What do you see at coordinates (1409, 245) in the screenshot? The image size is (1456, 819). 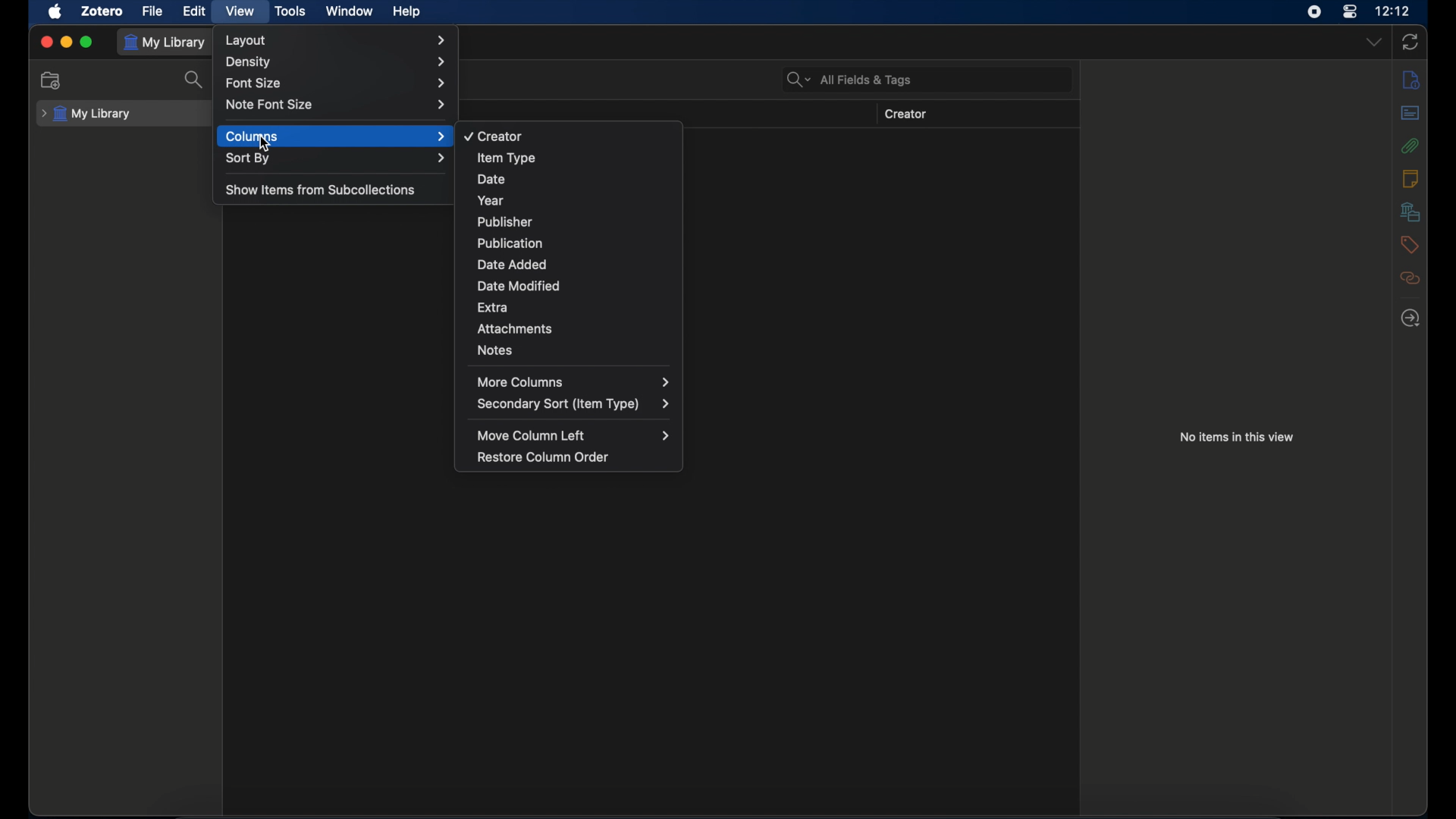 I see `tags` at bounding box center [1409, 245].